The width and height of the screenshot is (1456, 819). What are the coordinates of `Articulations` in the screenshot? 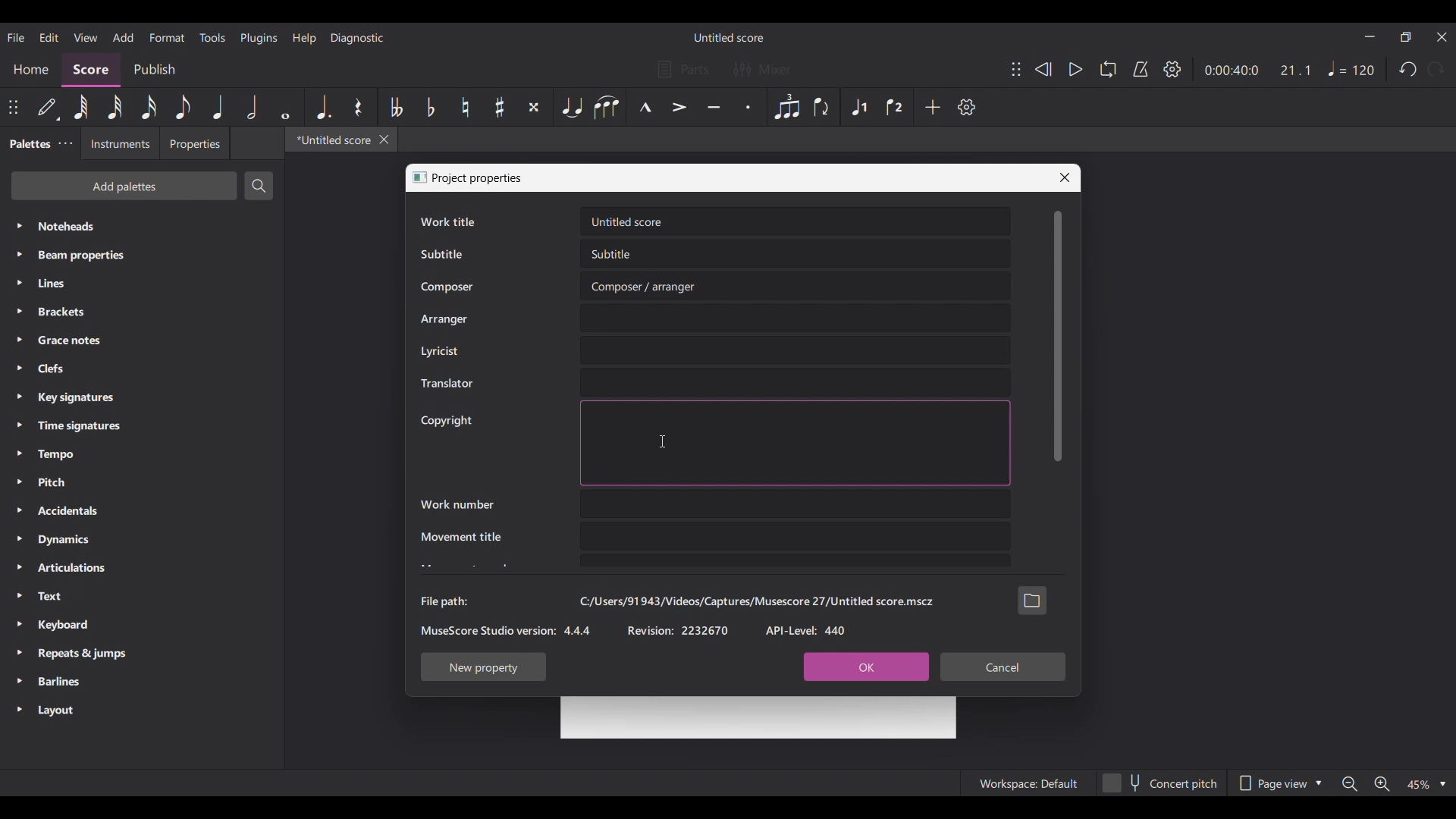 It's located at (141, 568).